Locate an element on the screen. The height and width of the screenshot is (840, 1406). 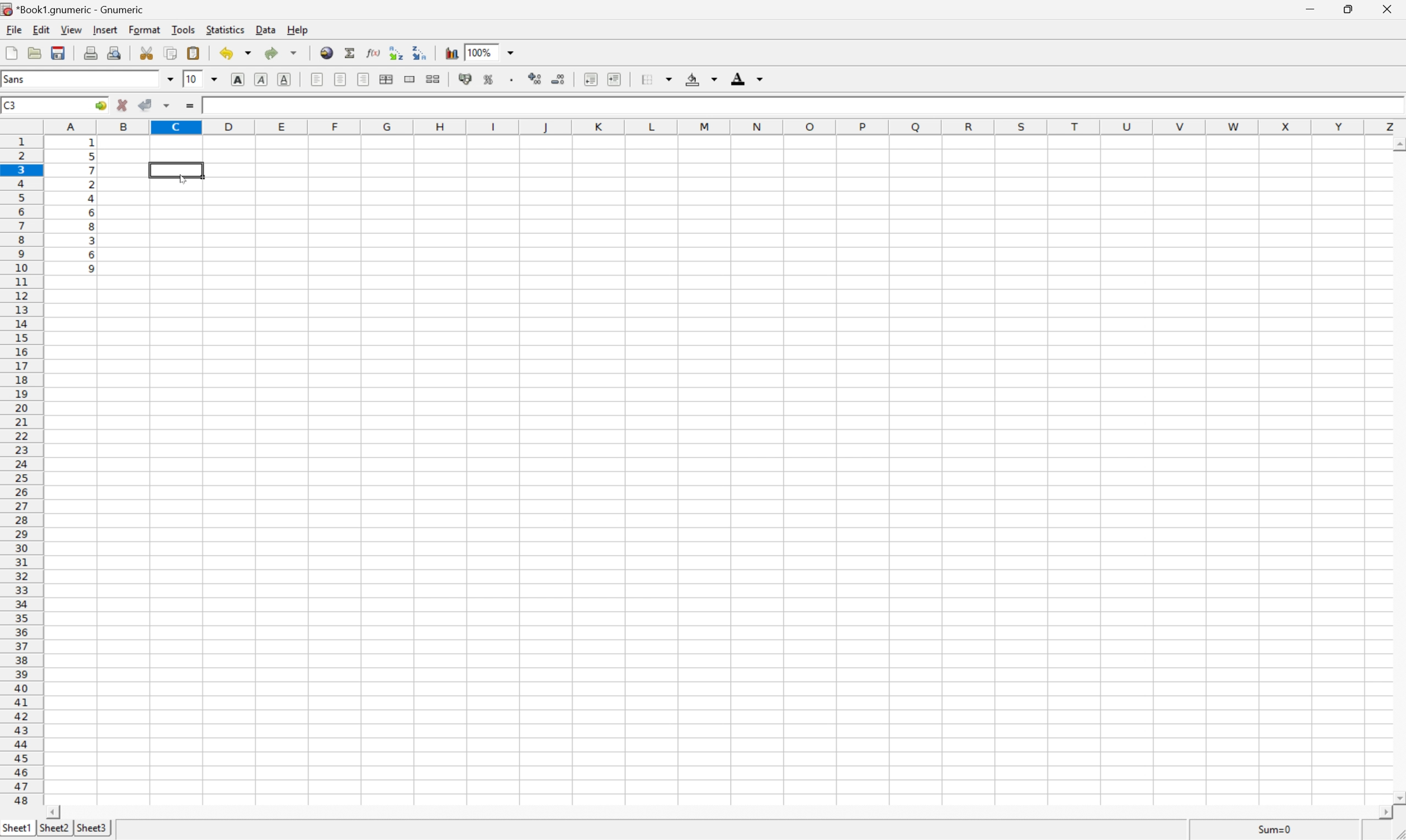
edit function in current cell is located at coordinates (373, 52).